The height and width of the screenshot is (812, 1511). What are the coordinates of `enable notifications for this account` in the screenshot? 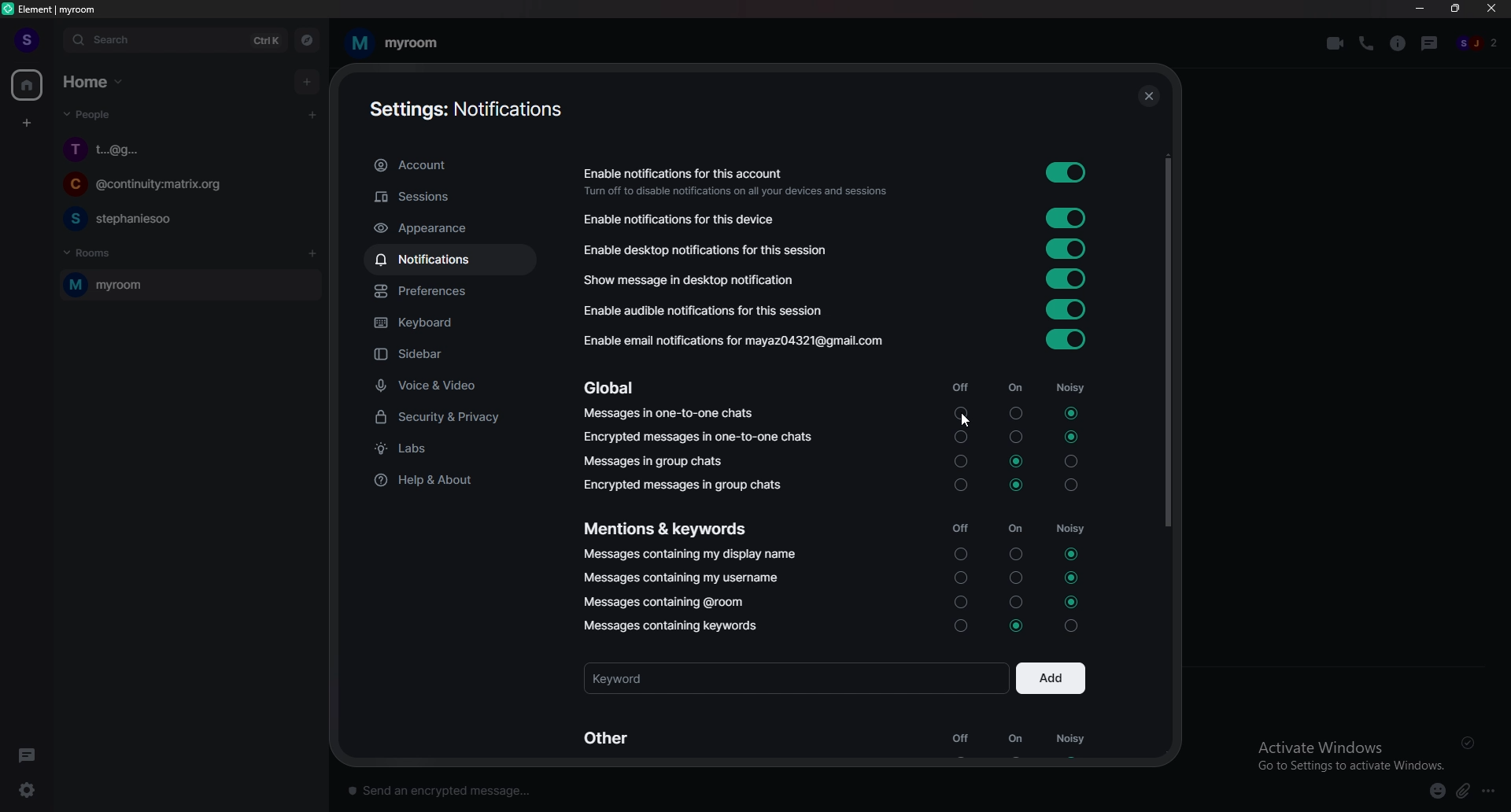 It's located at (737, 183).